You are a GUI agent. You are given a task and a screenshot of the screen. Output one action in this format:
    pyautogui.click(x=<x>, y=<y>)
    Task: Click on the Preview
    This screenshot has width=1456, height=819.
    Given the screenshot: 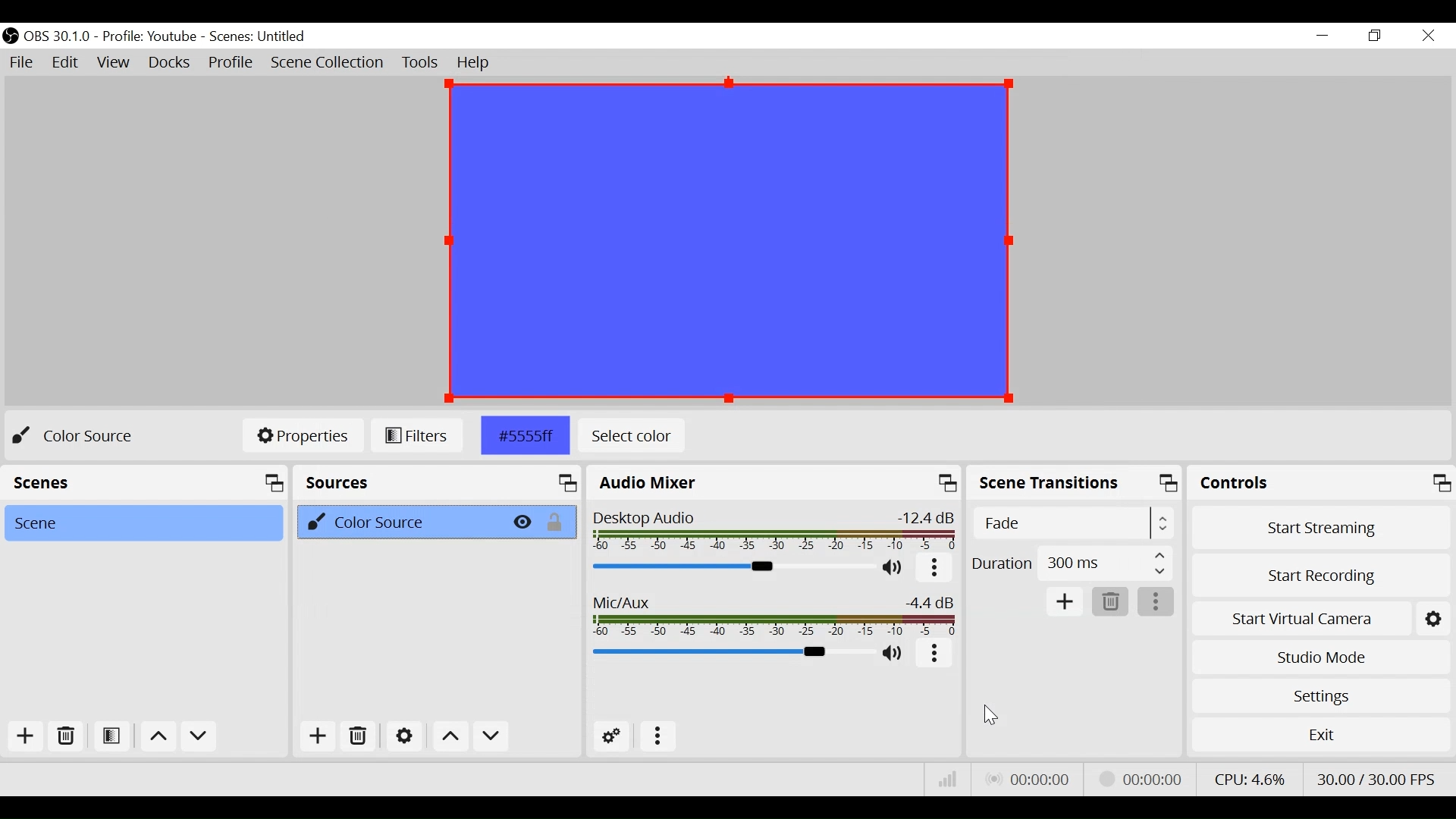 What is the action you would take?
    pyautogui.click(x=730, y=243)
    